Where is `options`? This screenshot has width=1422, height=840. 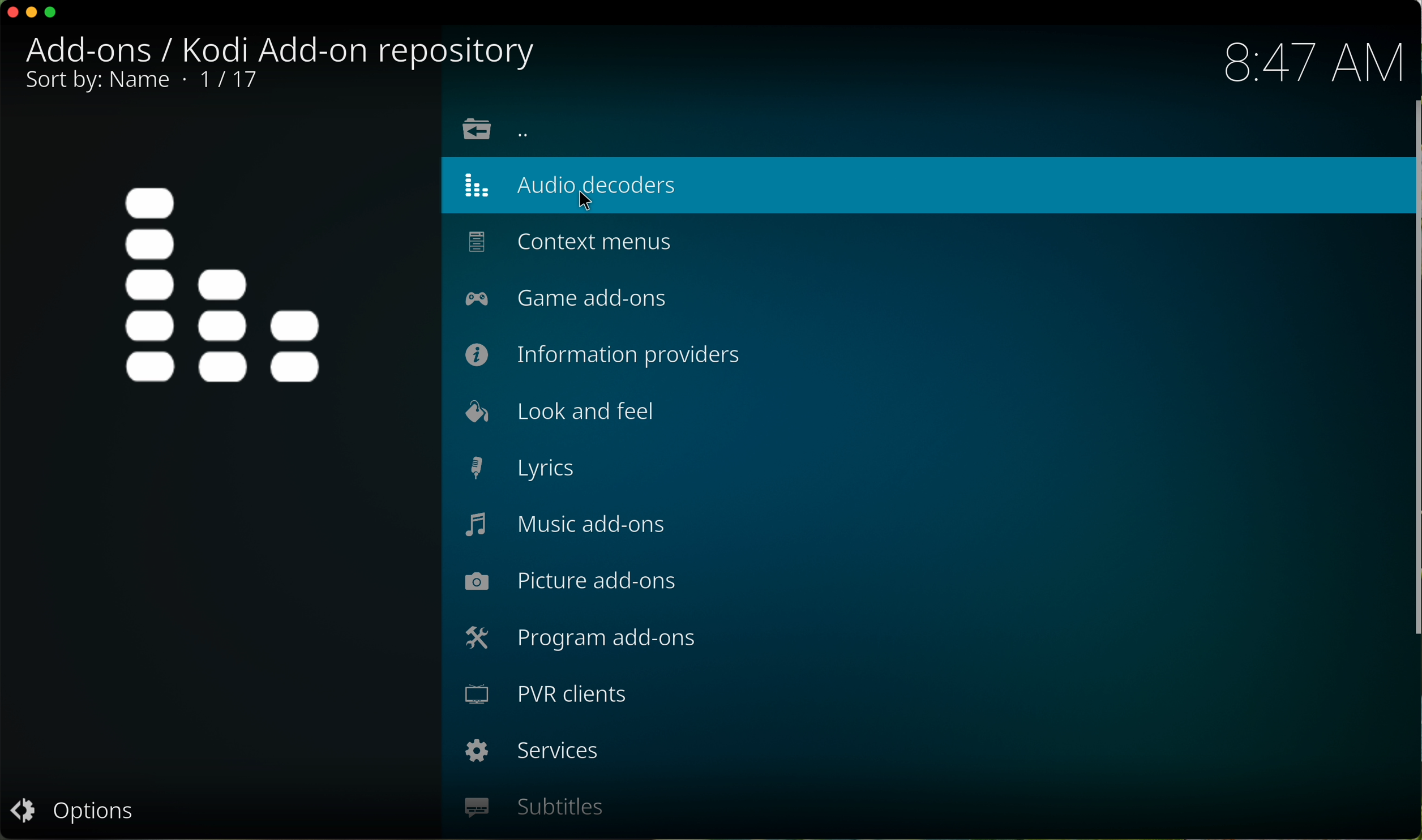
options is located at coordinates (72, 815).